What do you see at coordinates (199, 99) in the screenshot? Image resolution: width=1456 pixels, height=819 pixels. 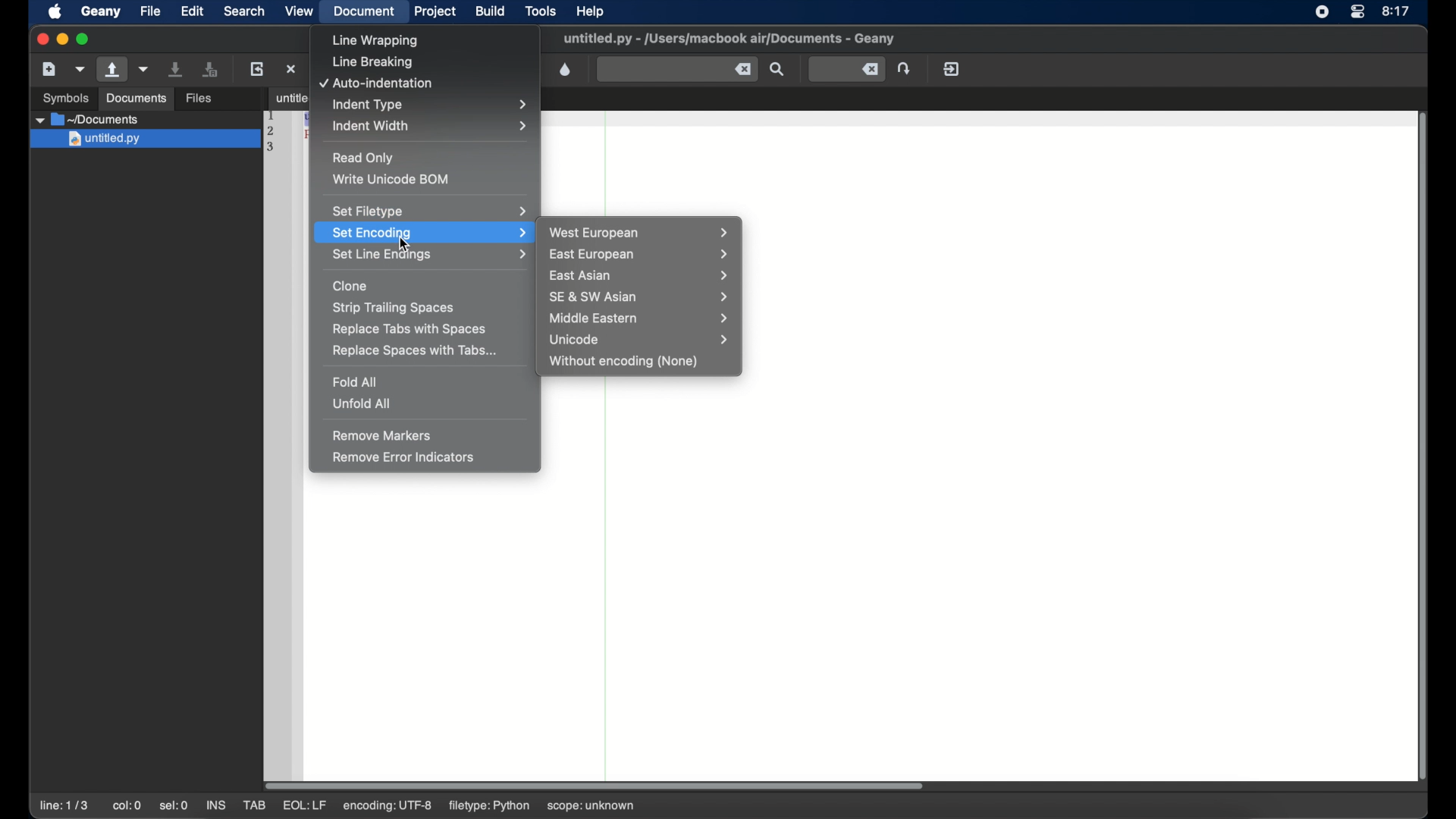 I see `files` at bounding box center [199, 99].